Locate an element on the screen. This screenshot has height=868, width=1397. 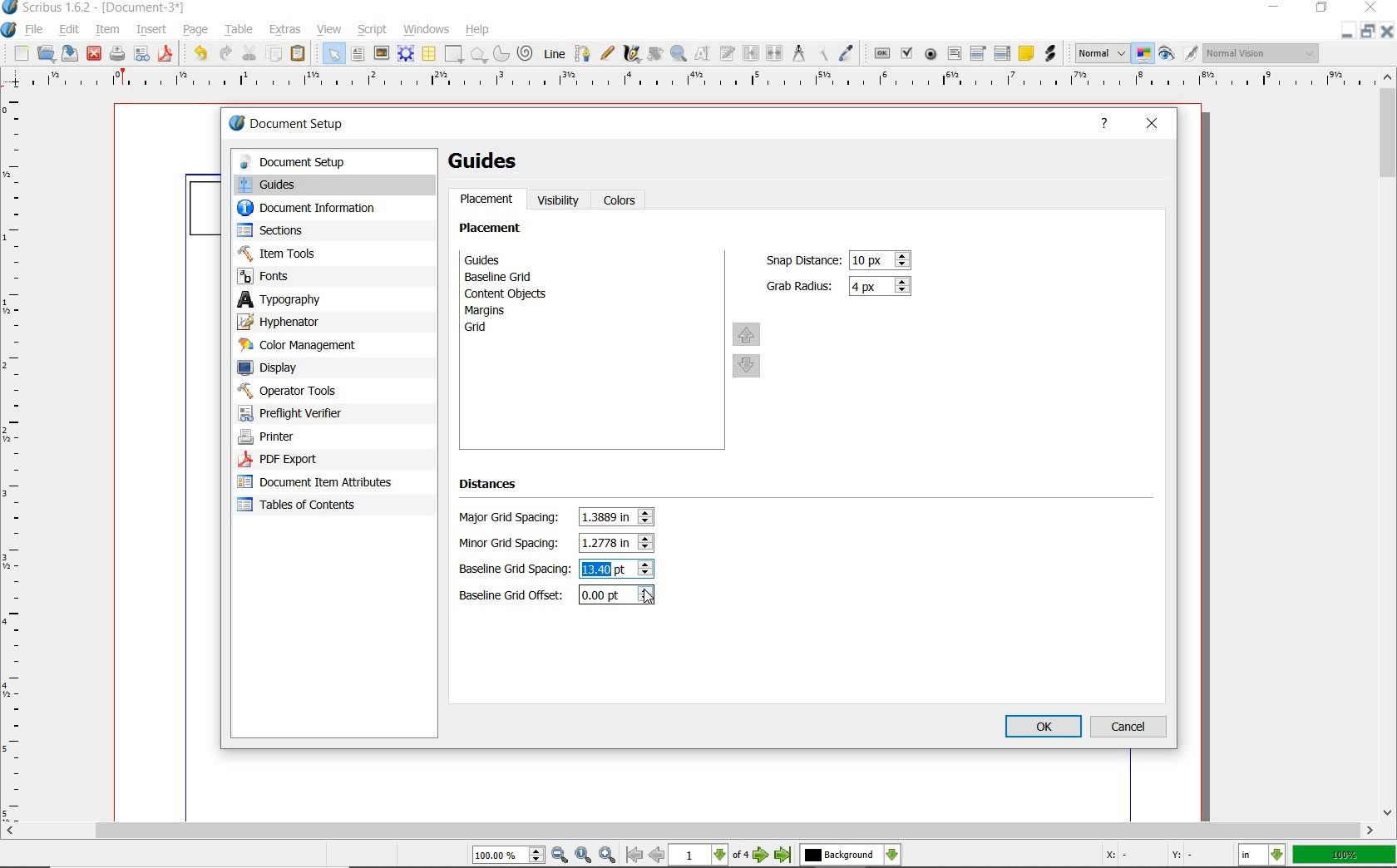
table is located at coordinates (237, 31).